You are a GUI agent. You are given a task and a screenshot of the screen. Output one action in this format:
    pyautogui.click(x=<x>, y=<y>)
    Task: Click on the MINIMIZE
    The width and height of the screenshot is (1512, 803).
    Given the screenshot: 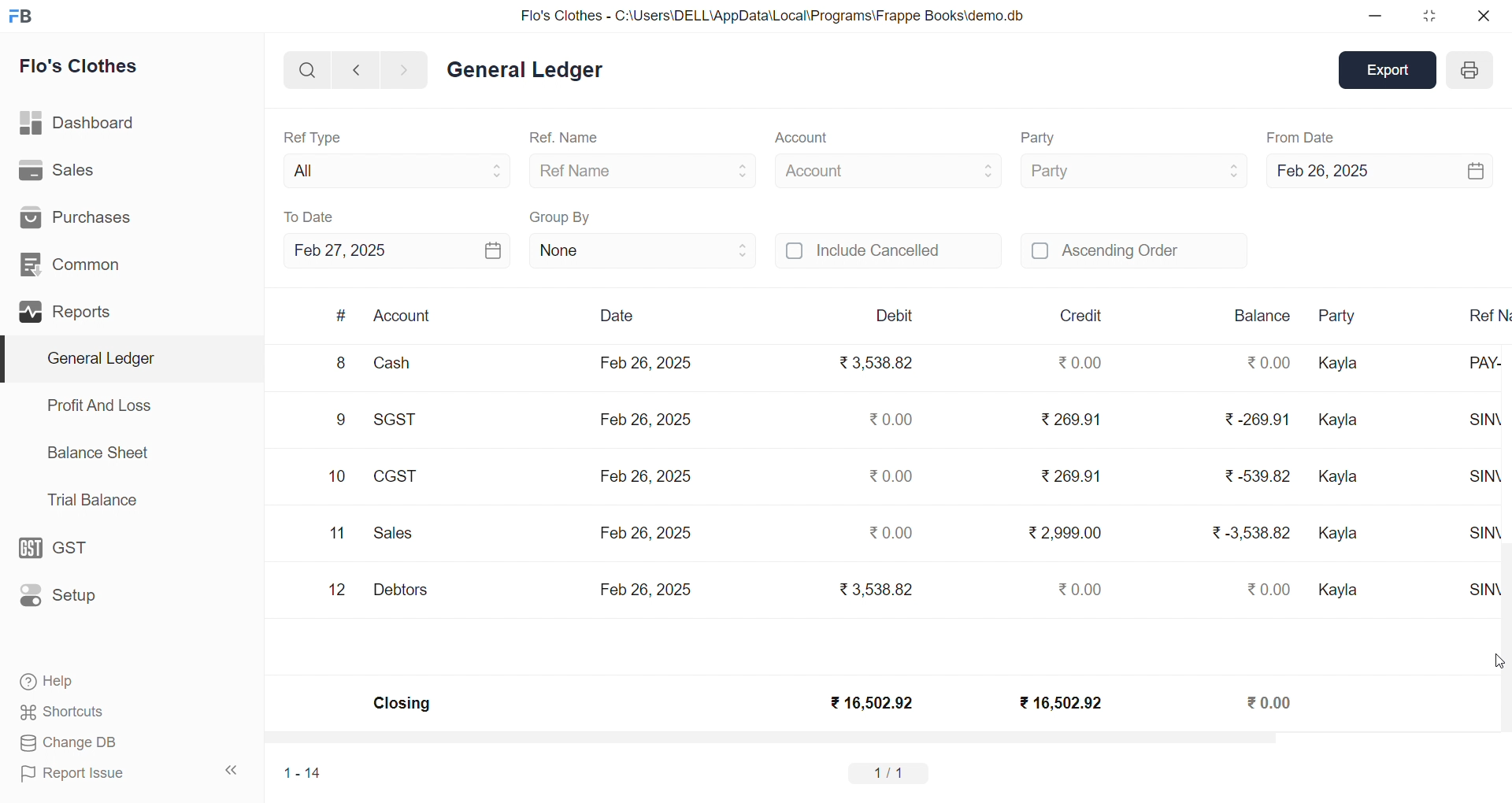 What is the action you would take?
    pyautogui.click(x=1376, y=17)
    